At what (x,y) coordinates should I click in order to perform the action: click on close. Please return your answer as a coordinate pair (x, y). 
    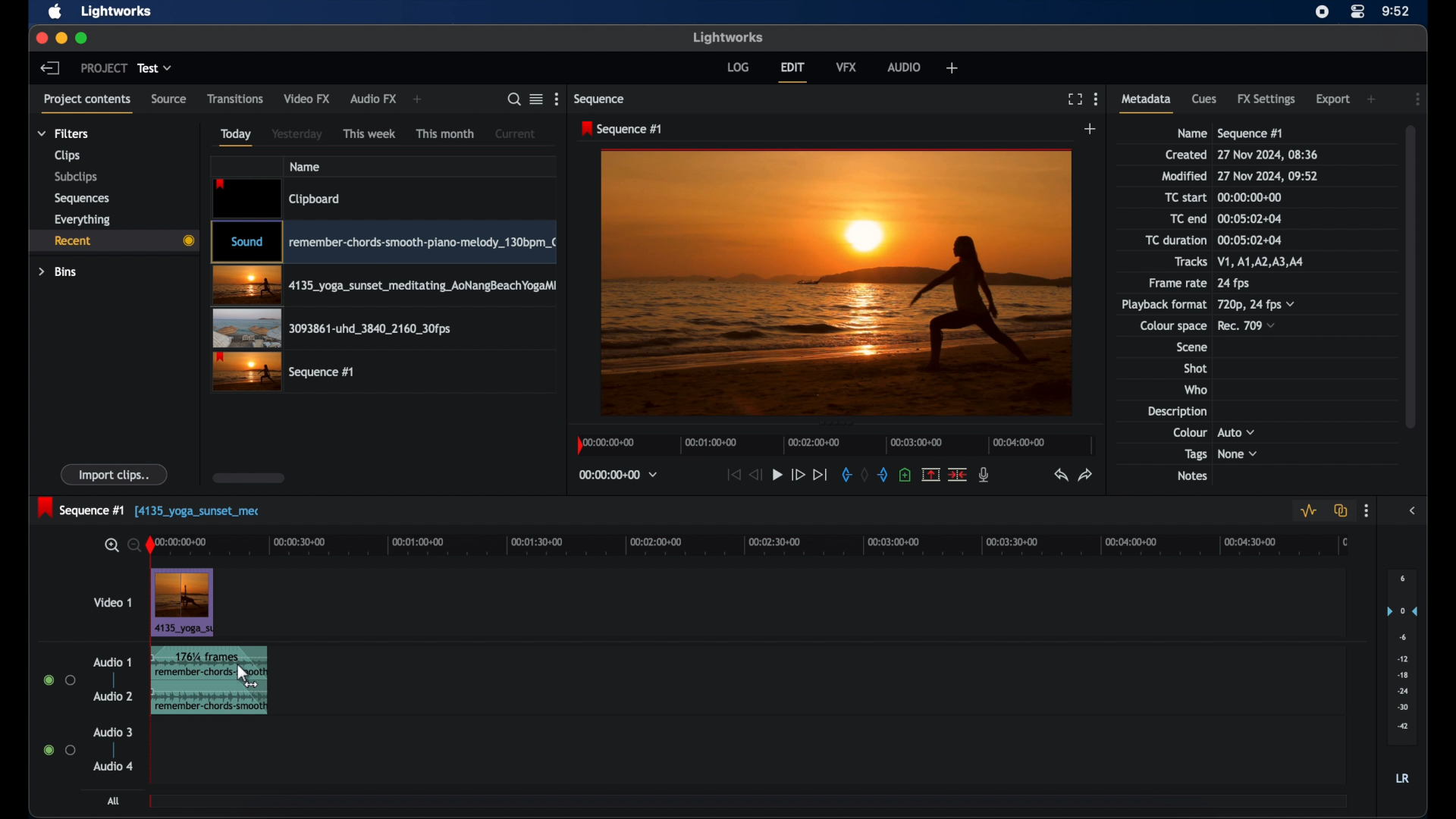
    Looking at the image, I should click on (40, 38).